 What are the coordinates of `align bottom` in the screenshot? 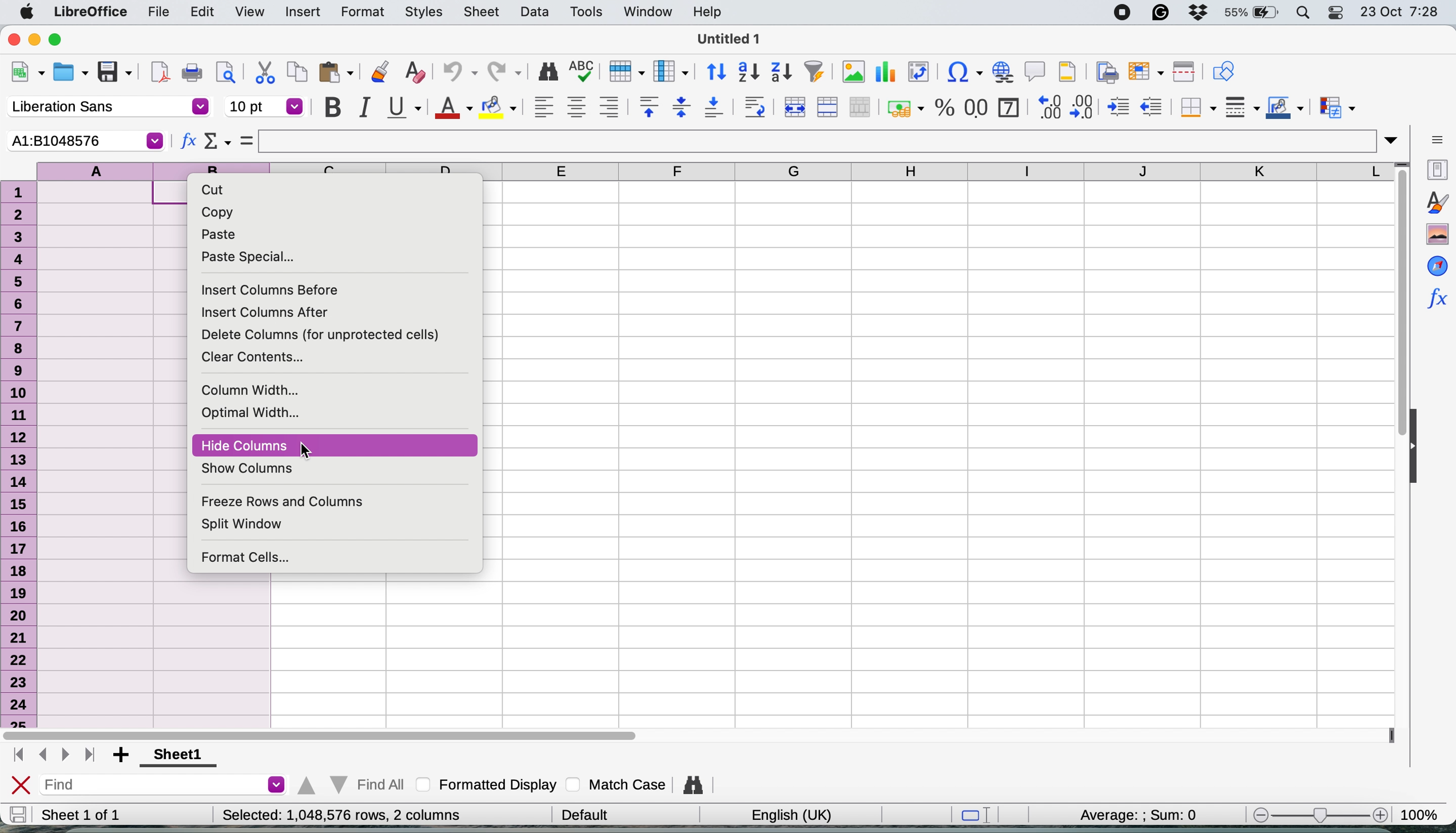 It's located at (719, 108).